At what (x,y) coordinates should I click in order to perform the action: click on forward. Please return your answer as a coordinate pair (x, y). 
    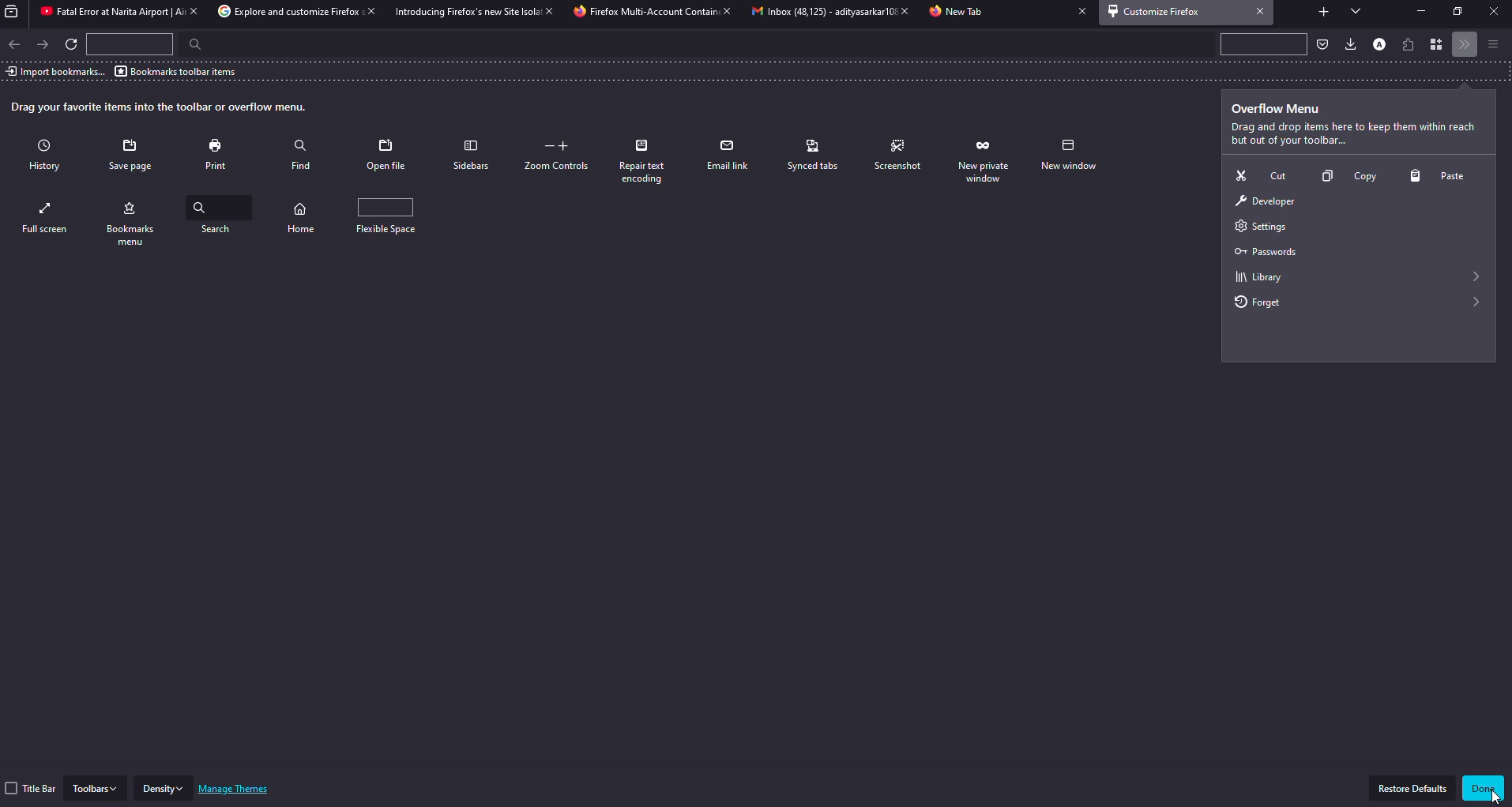
    Looking at the image, I should click on (44, 43).